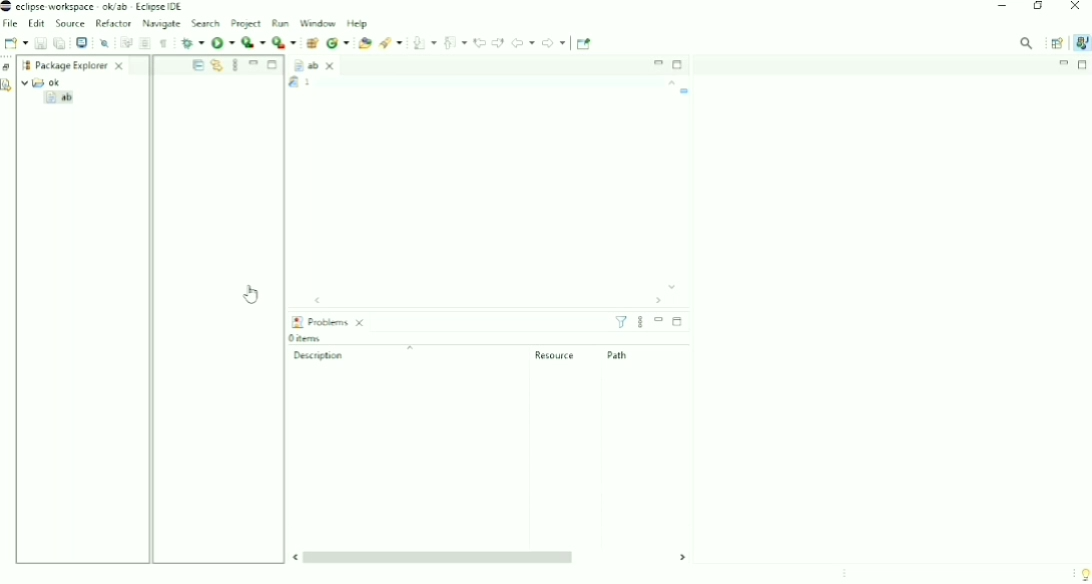 Image resolution: width=1092 pixels, height=584 pixels. What do you see at coordinates (15, 43) in the screenshot?
I see `New` at bounding box center [15, 43].